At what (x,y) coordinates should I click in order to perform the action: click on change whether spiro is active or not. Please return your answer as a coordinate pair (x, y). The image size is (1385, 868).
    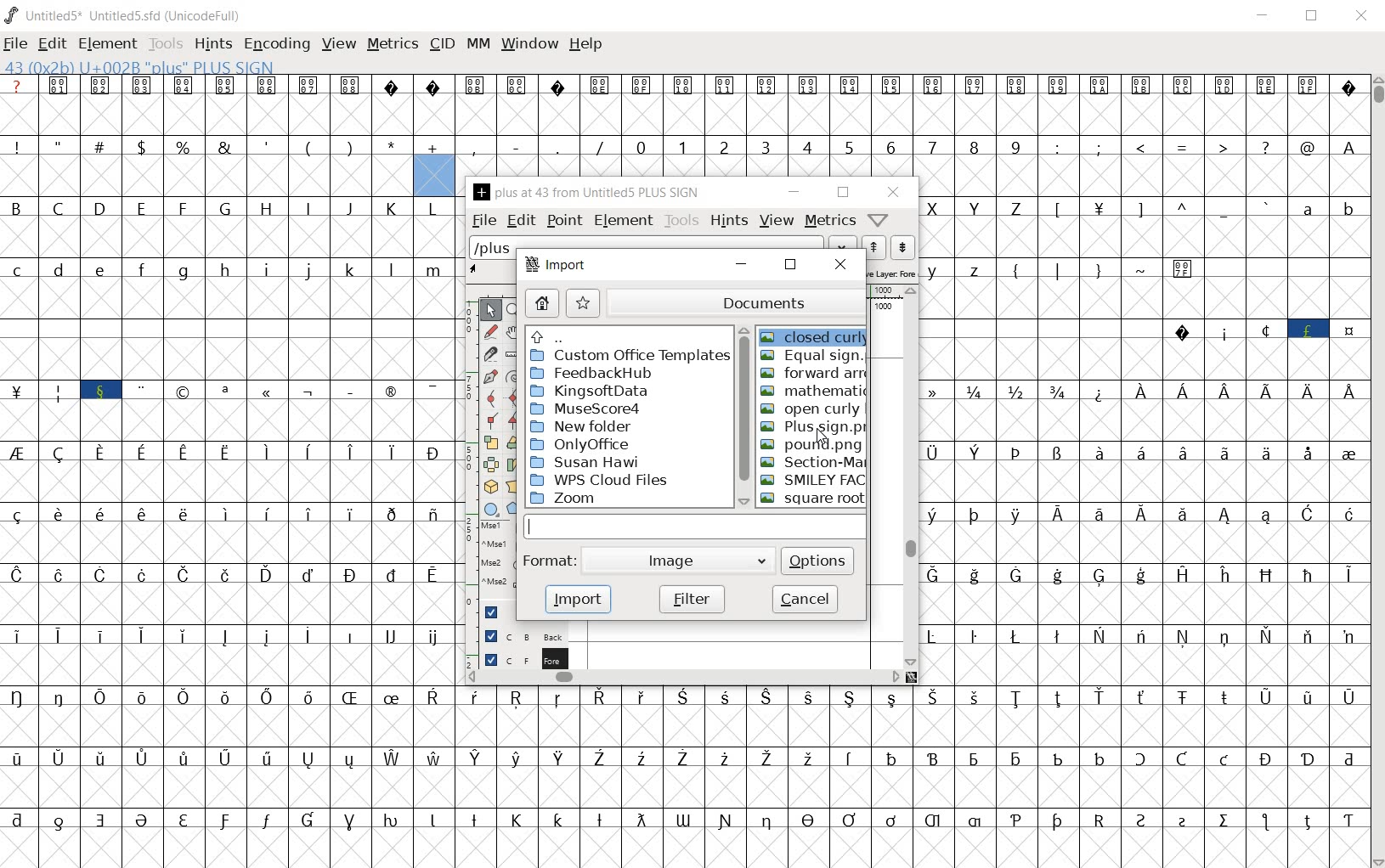
    Looking at the image, I should click on (514, 375).